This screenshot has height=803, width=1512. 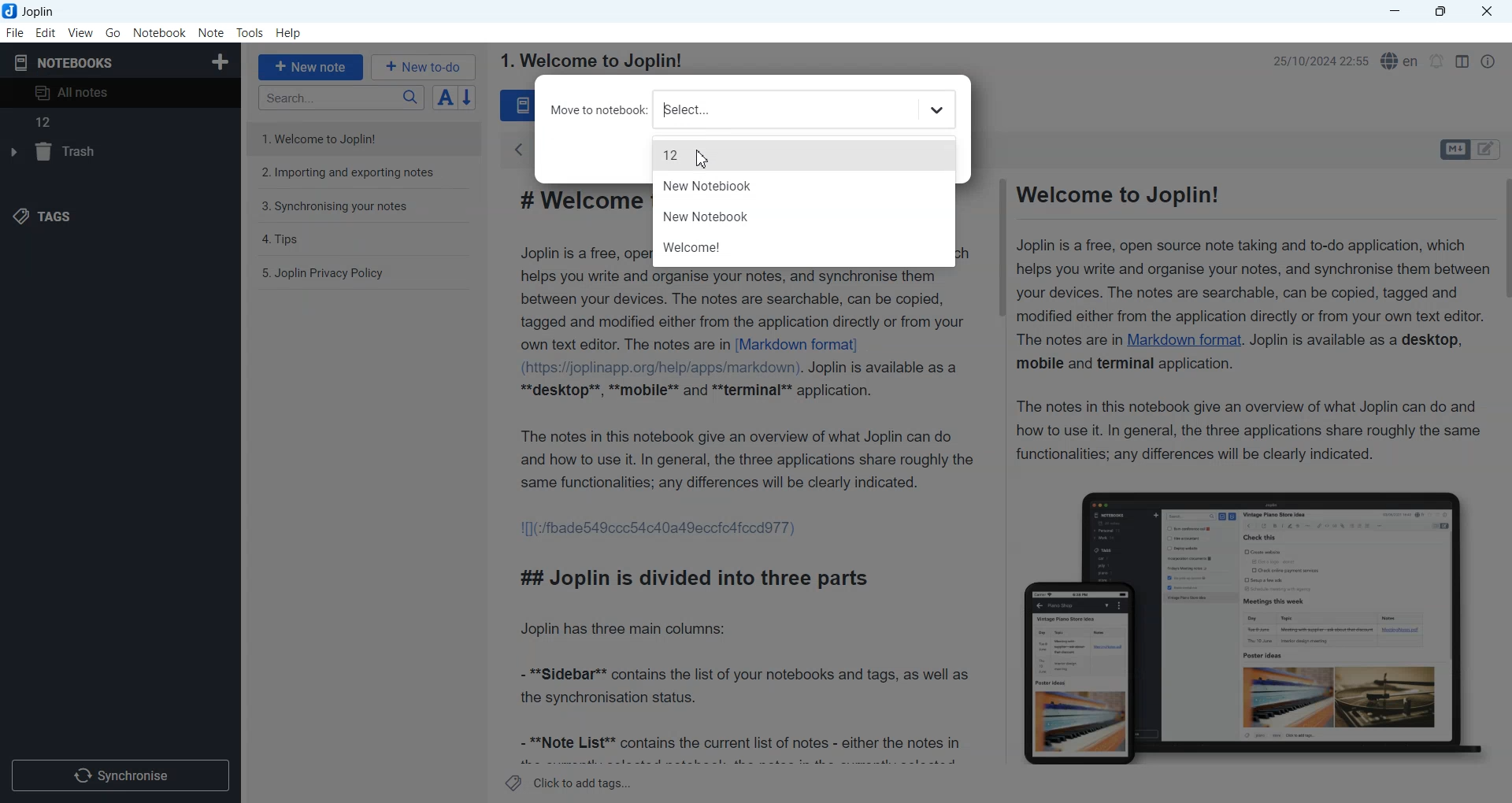 I want to click on + New to-do, so click(x=425, y=65).